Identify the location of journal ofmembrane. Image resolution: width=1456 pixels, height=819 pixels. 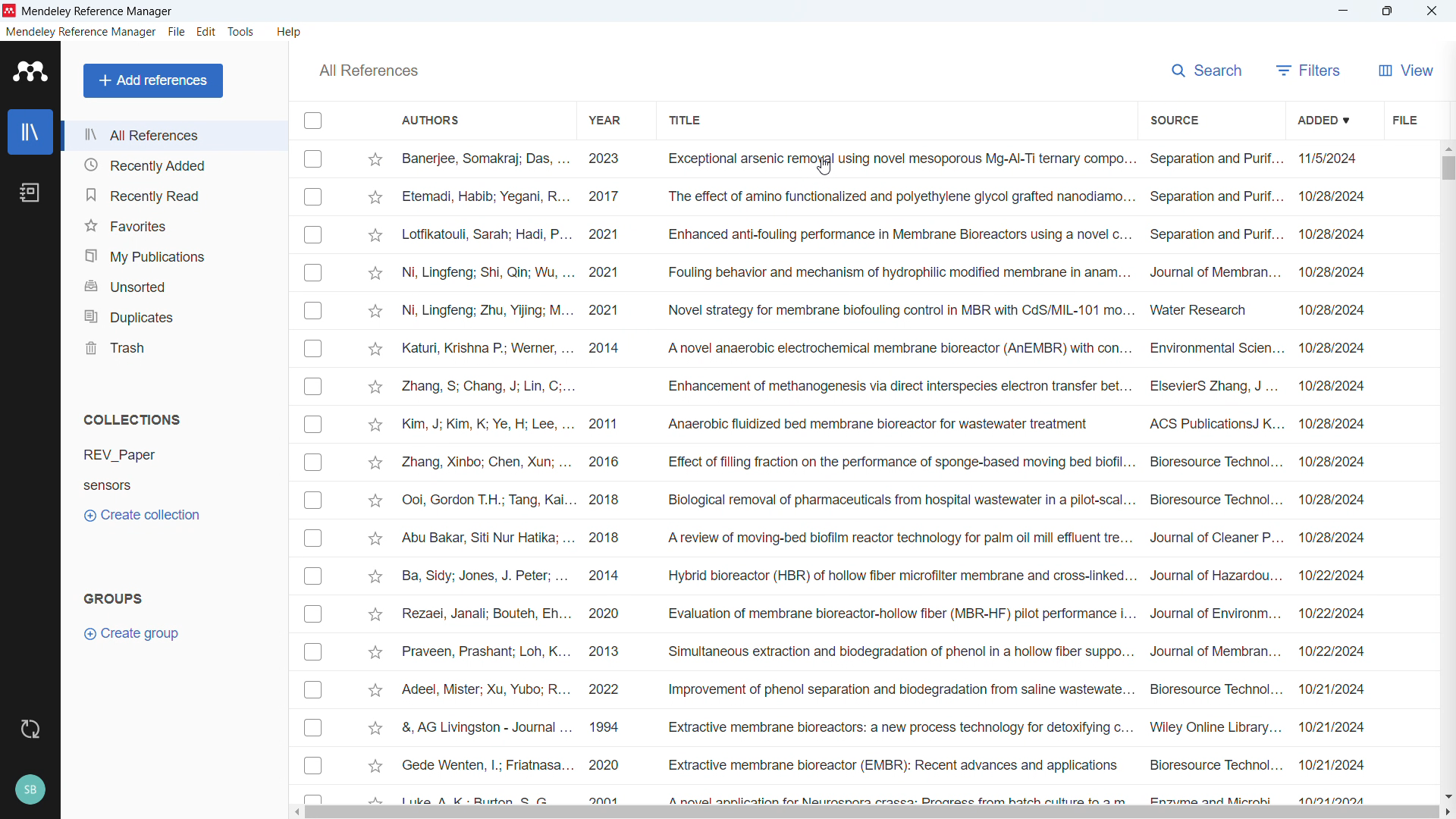
(1213, 652).